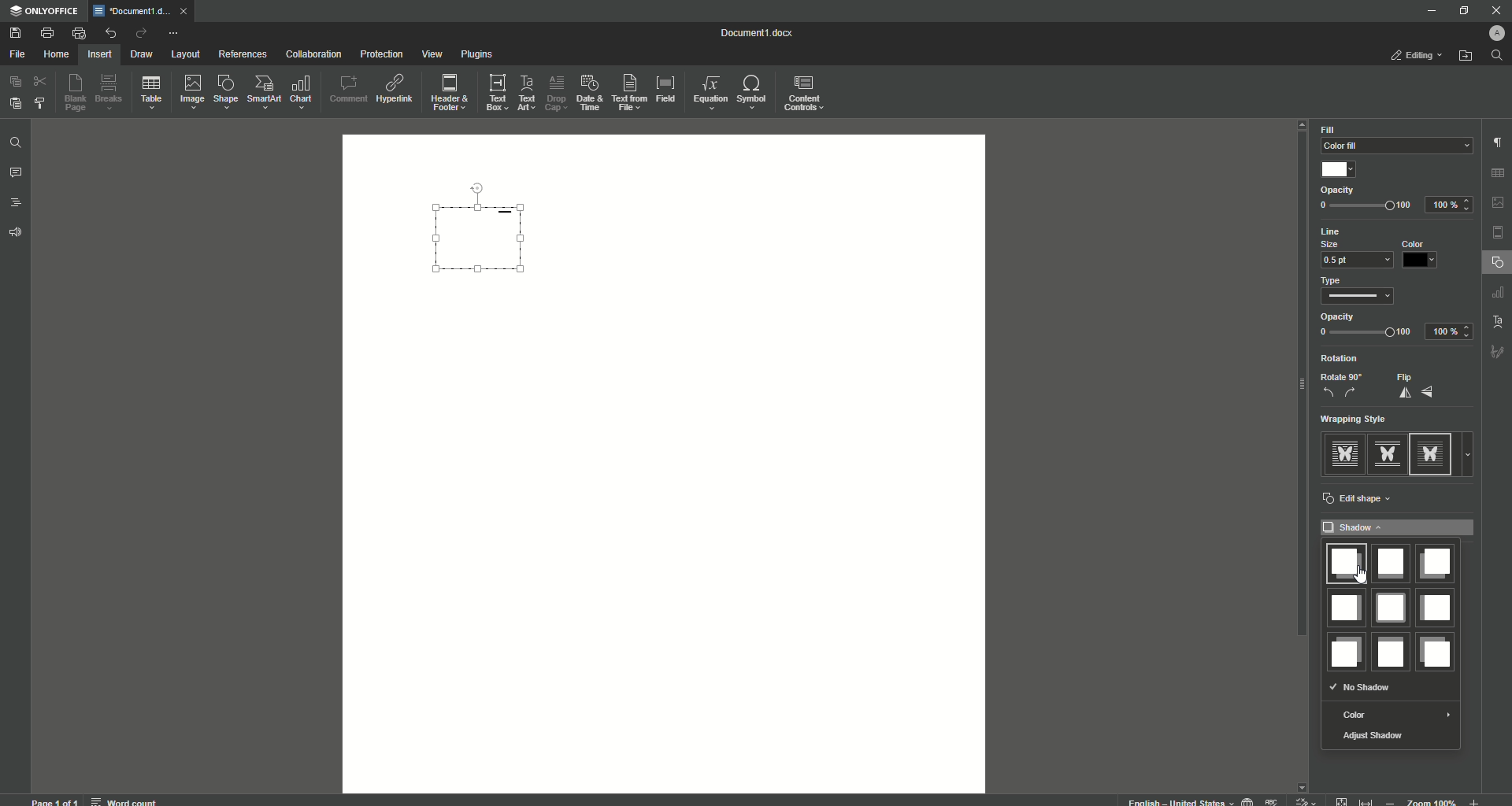  Describe the element at coordinates (806, 95) in the screenshot. I see `Content Controls` at that location.